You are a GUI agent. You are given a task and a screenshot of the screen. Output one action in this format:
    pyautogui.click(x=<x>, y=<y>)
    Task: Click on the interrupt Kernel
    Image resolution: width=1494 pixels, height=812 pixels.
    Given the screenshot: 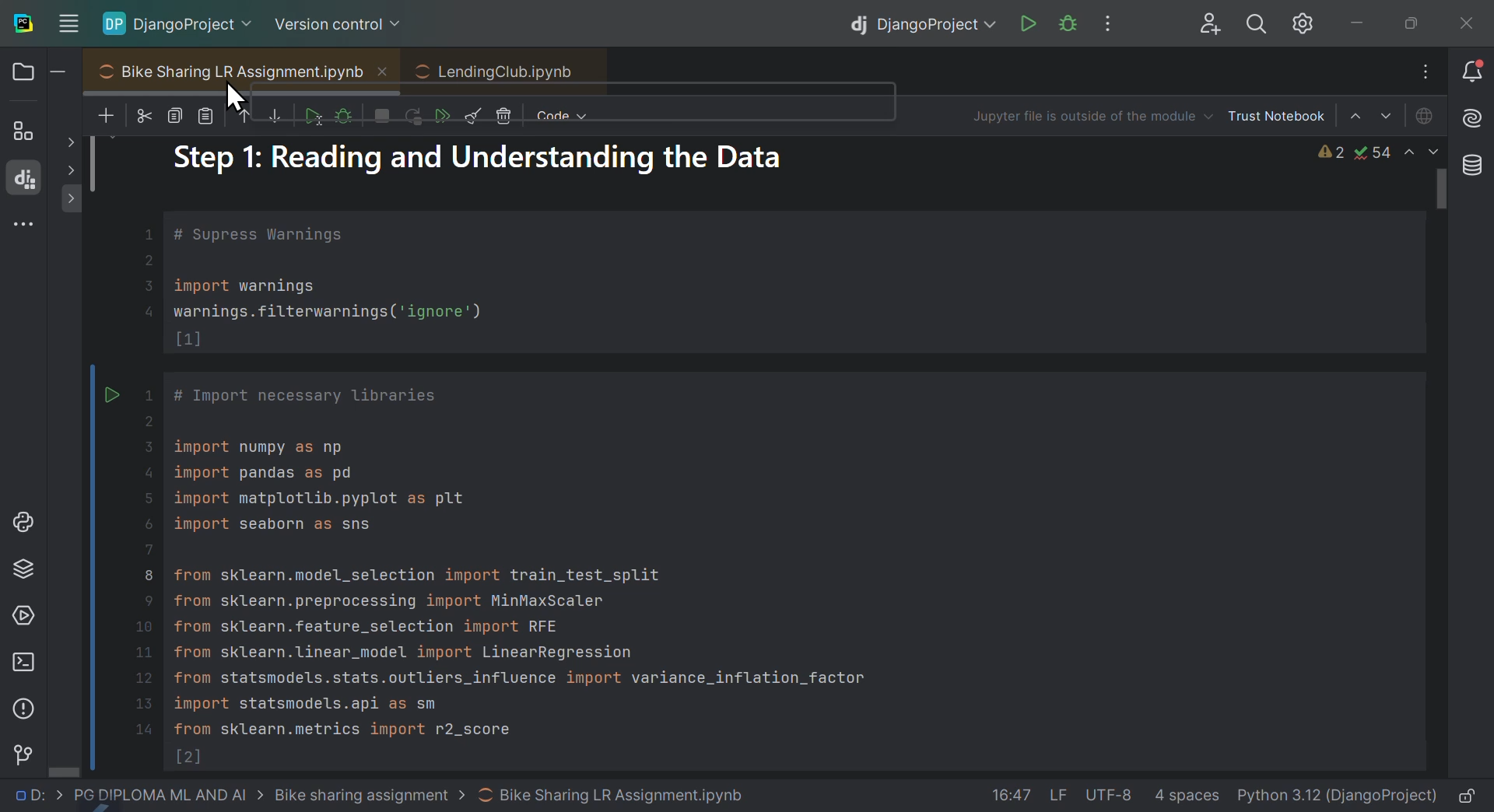 What is the action you would take?
    pyautogui.click(x=381, y=115)
    